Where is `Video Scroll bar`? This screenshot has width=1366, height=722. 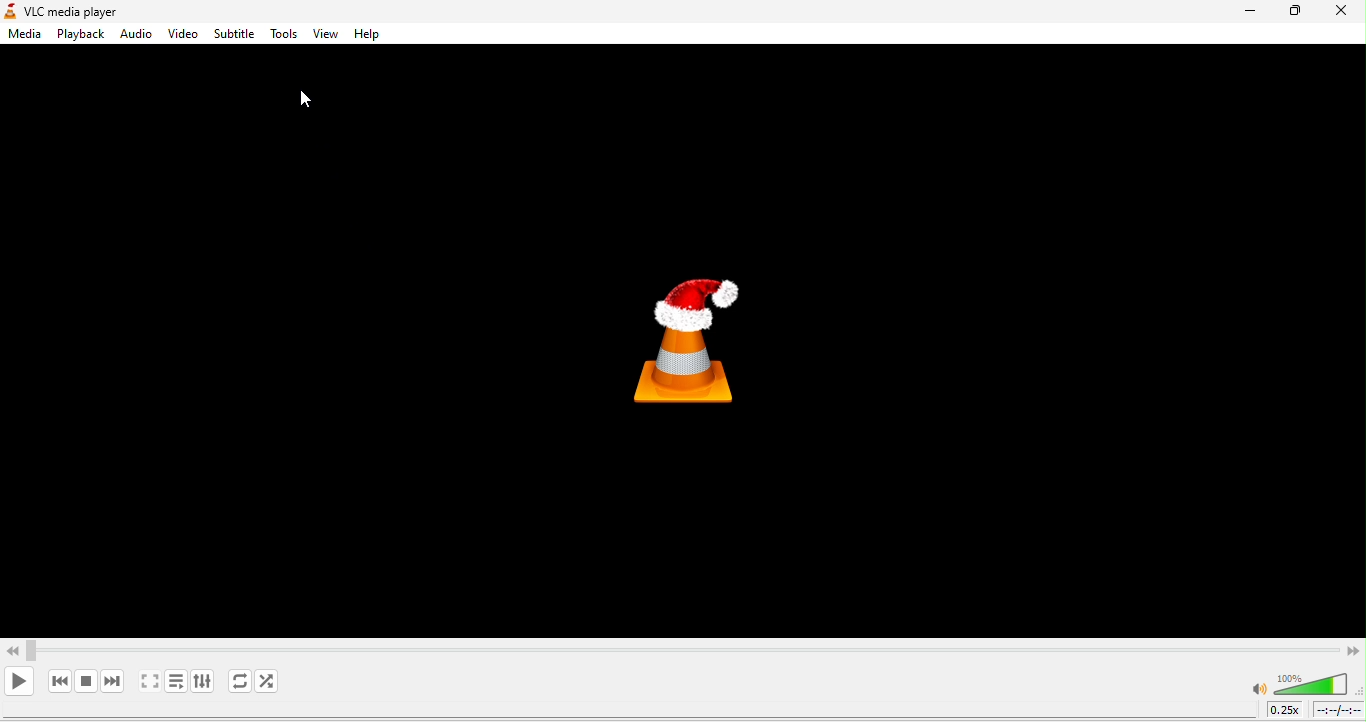 Video Scroll bar is located at coordinates (682, 650).